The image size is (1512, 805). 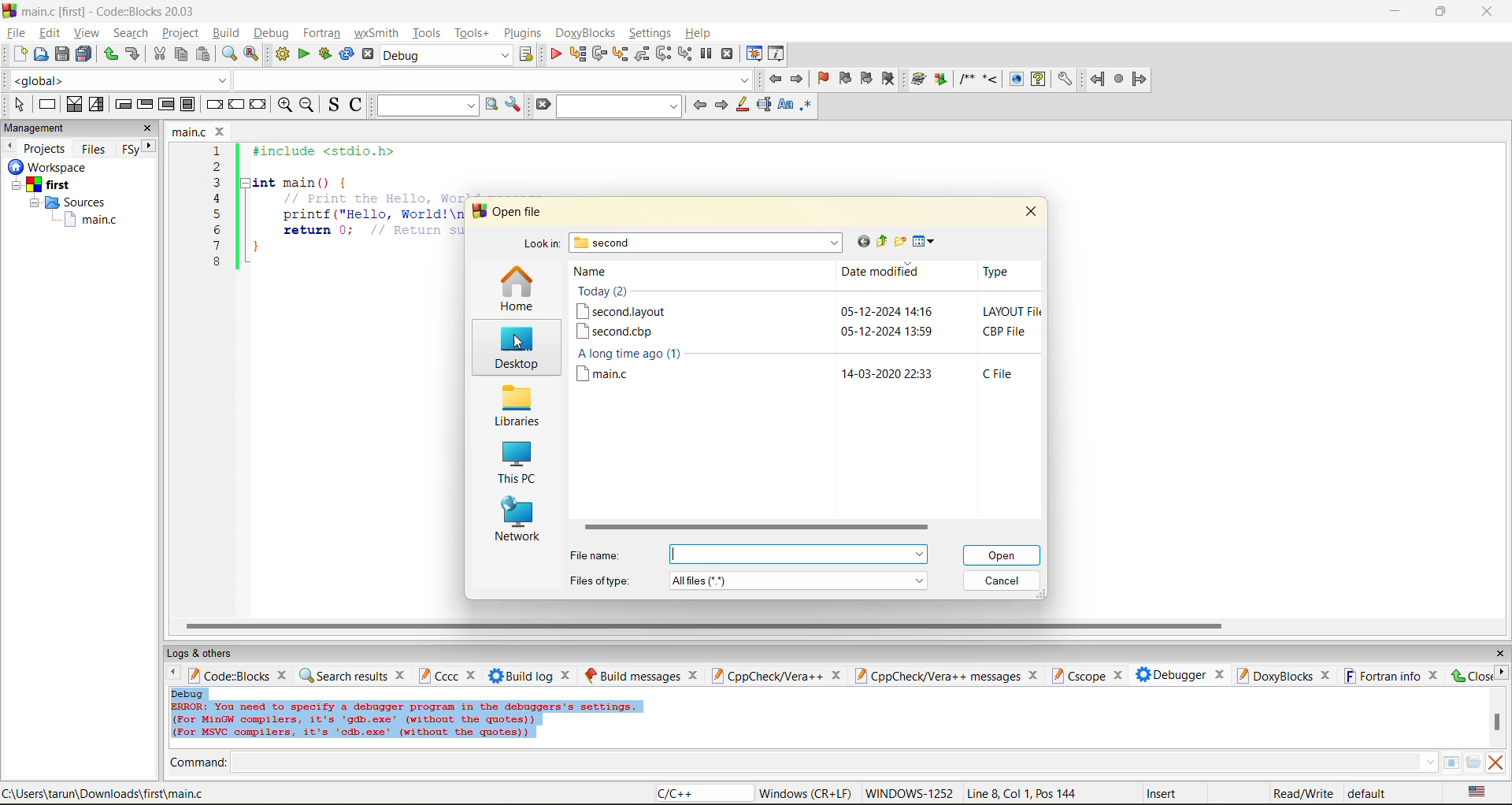 I want to click on tables, so click(x=1451, y=762).